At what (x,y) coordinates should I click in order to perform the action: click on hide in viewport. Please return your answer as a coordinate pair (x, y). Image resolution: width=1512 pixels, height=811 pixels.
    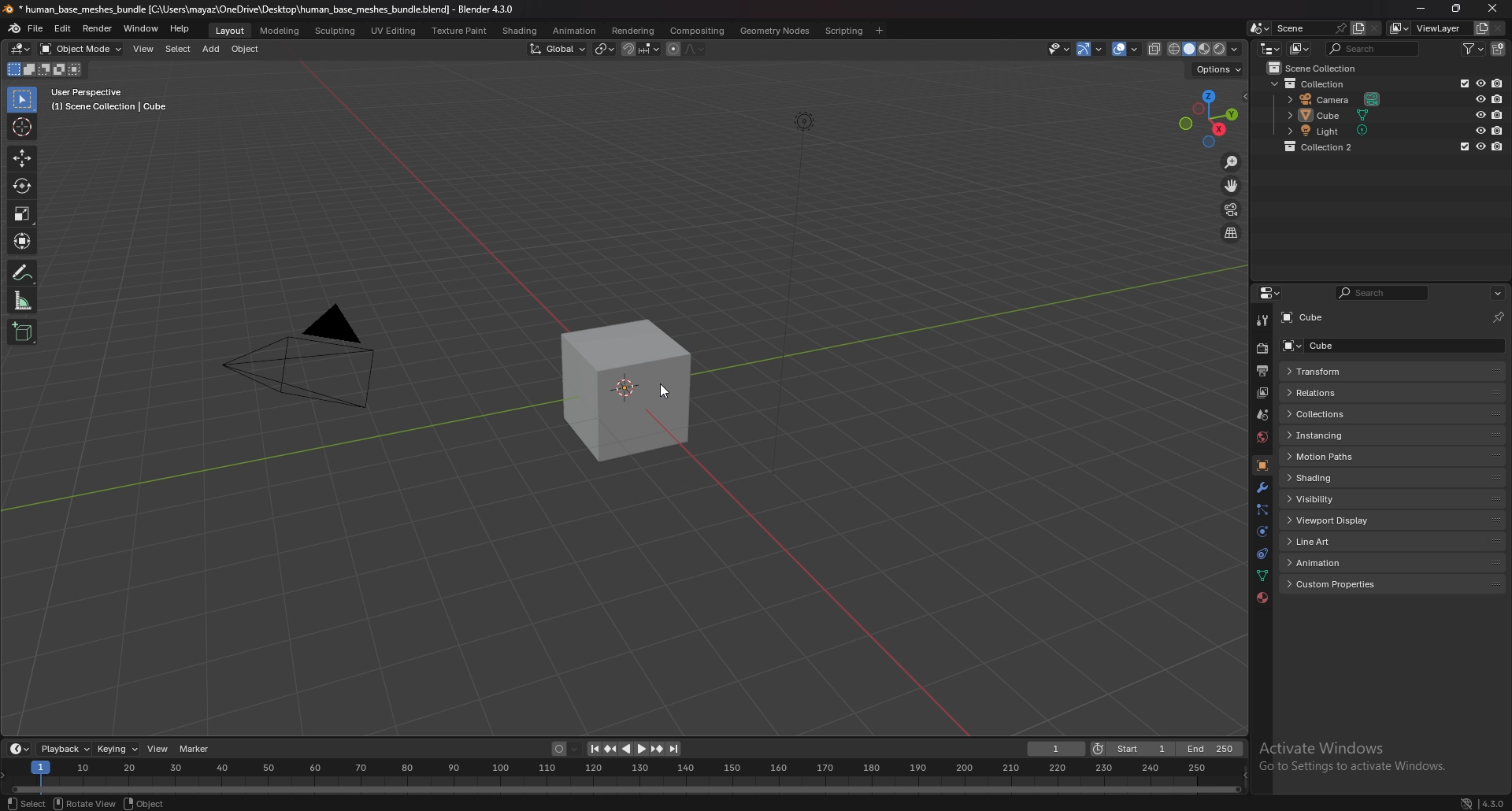
    Looking at the image, I should click on (1480, 83).